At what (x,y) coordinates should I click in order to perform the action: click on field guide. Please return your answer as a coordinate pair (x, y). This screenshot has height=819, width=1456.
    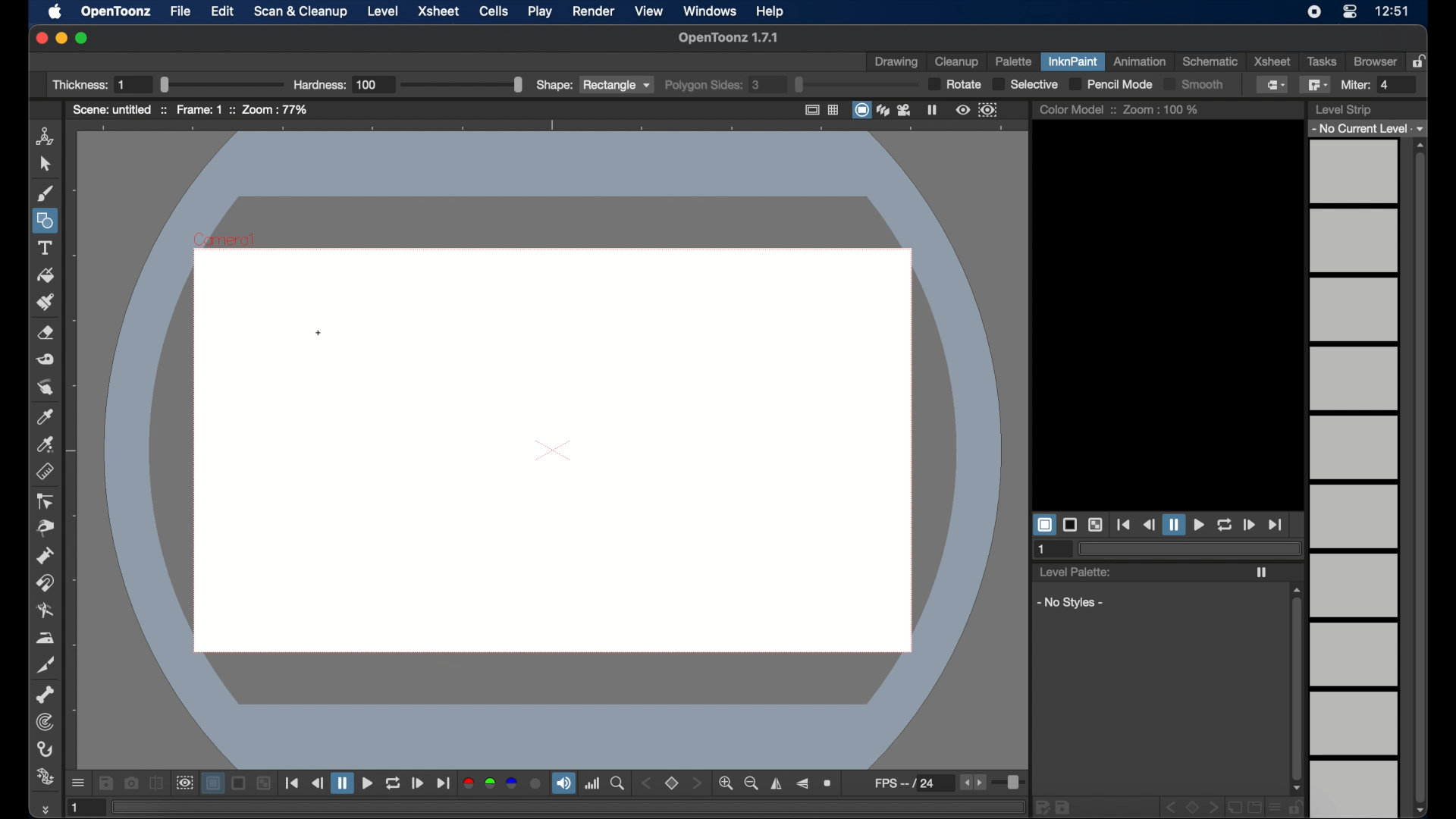
    Looking at the image, I should click on (834, 109).